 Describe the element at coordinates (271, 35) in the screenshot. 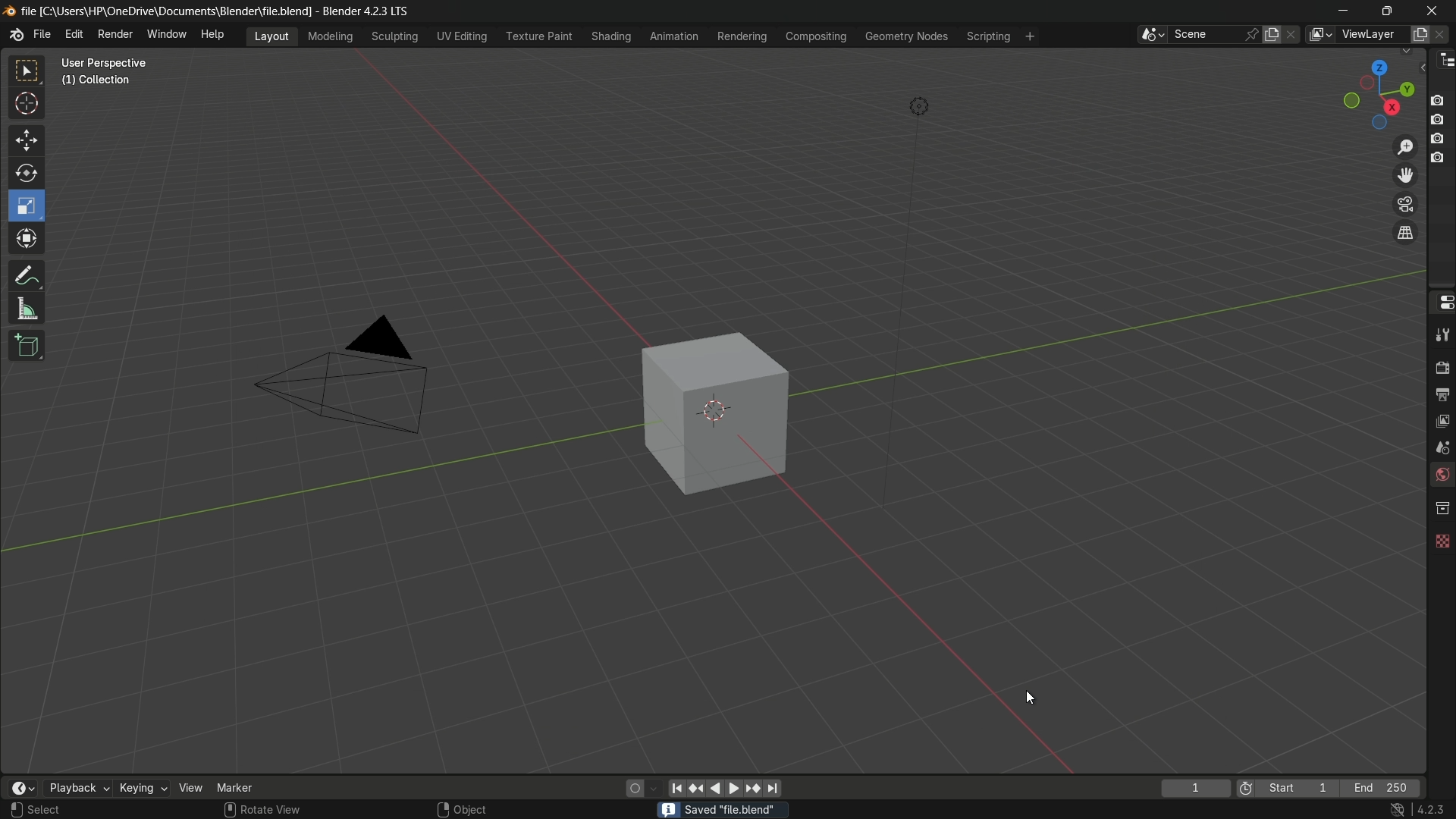

I see `layout menu` at that location.